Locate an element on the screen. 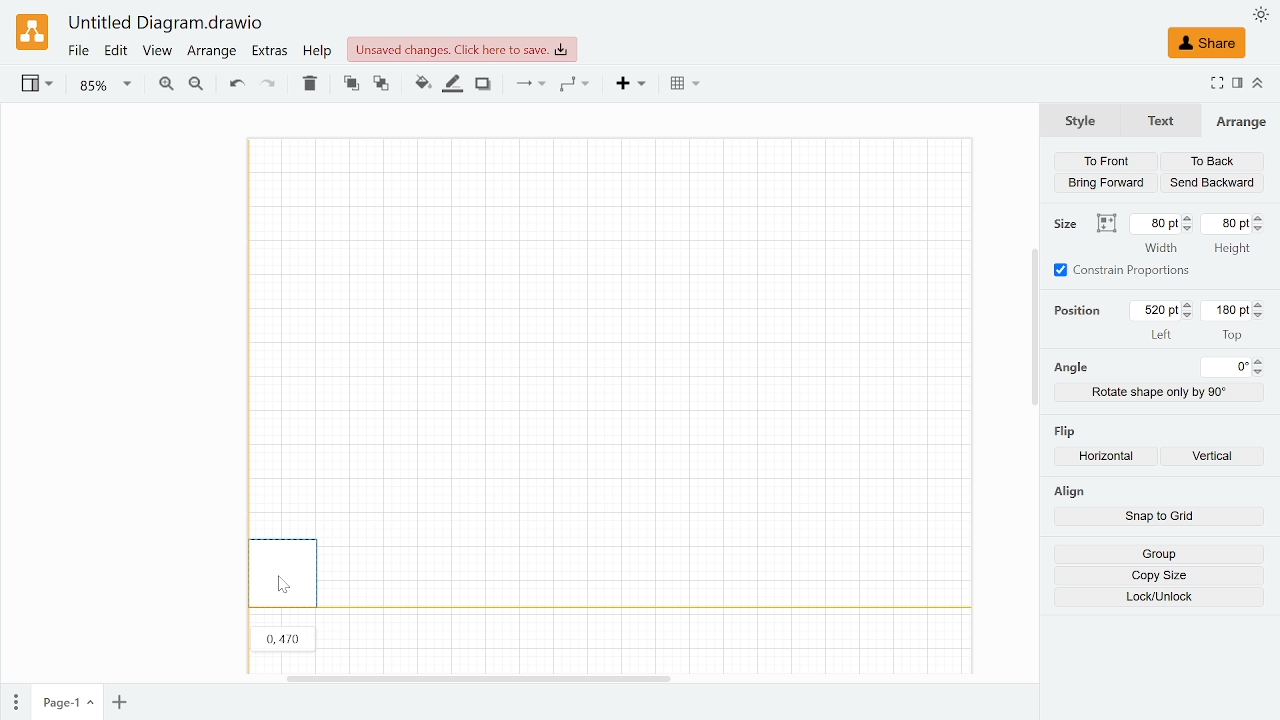 Image resolution: width=1280 pixels, height=720 pixels. Increase left is located at coordinates (1190, 305).